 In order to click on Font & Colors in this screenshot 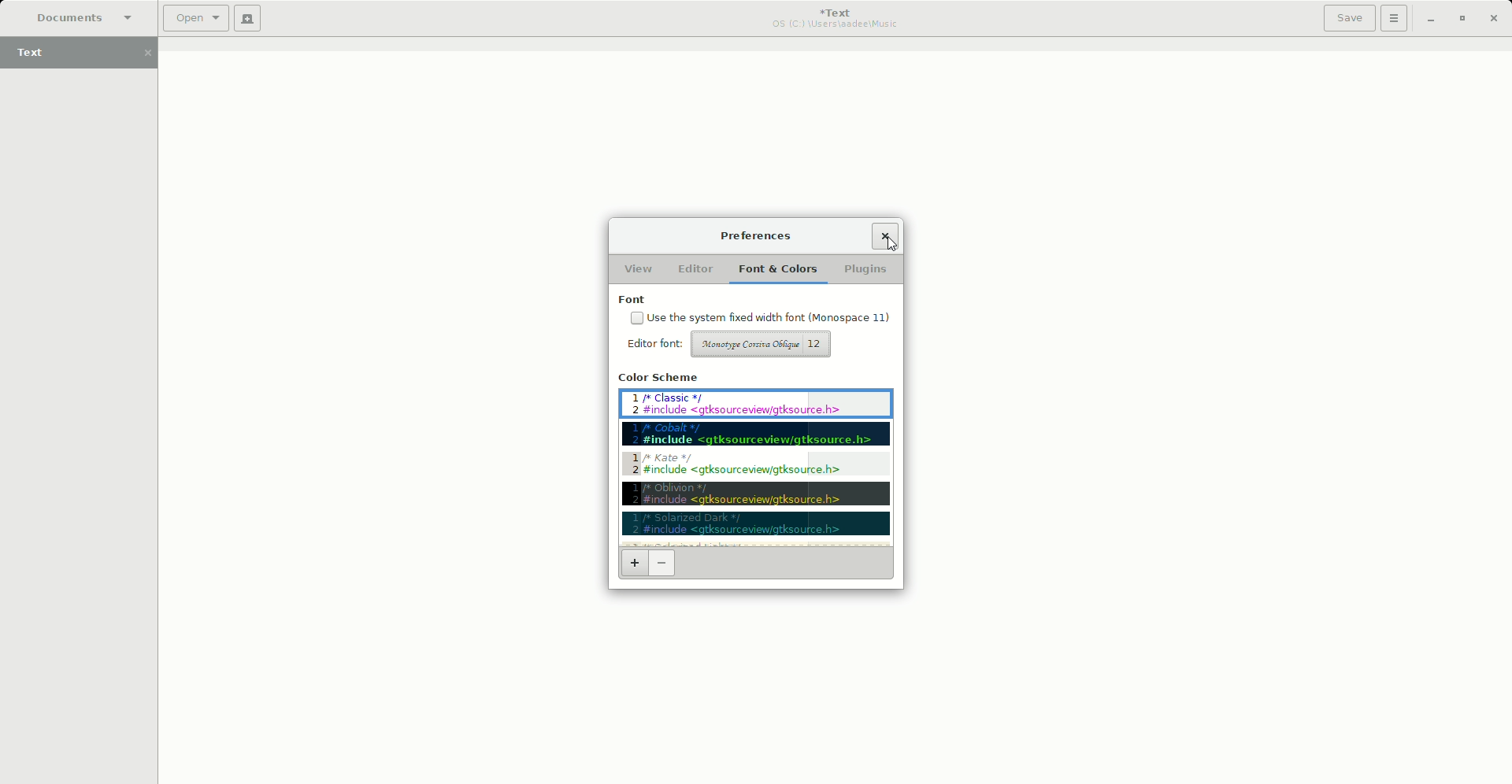, I will do `click(776, 268)`.